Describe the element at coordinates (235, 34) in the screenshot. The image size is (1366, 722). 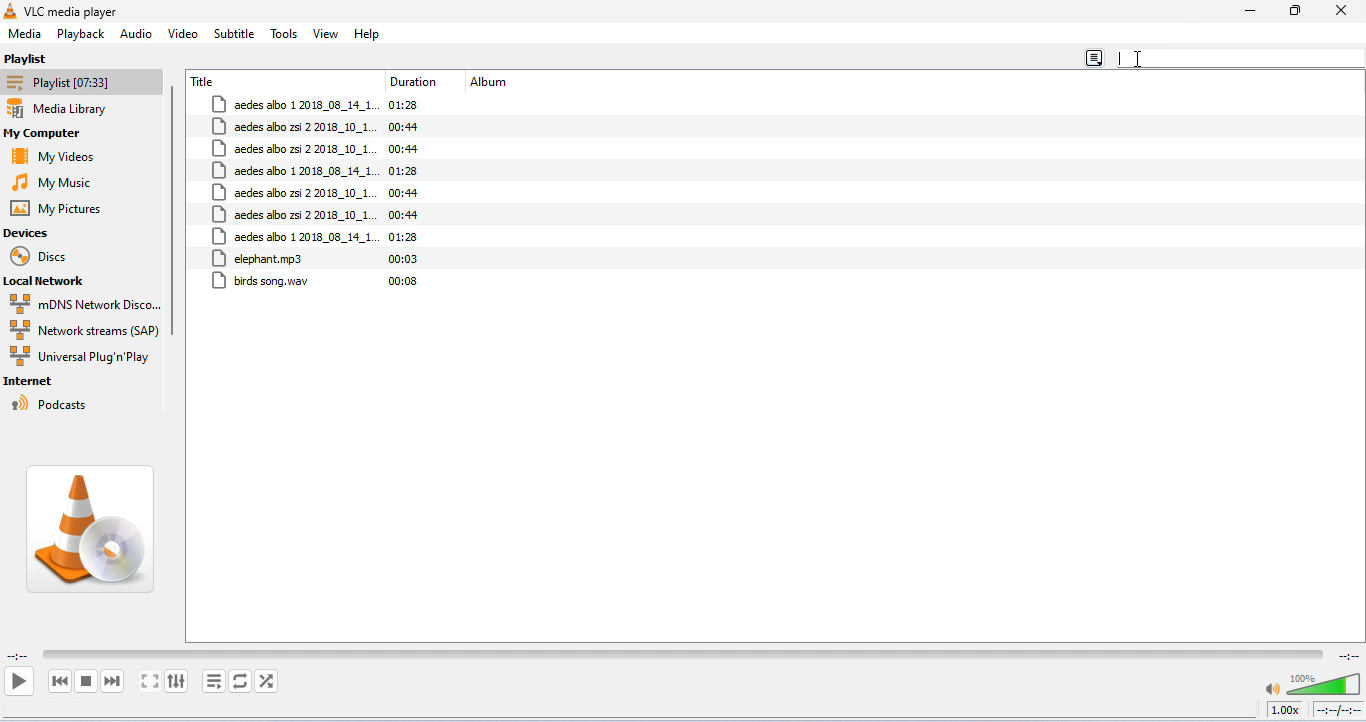
I see `subtitle` at that location.